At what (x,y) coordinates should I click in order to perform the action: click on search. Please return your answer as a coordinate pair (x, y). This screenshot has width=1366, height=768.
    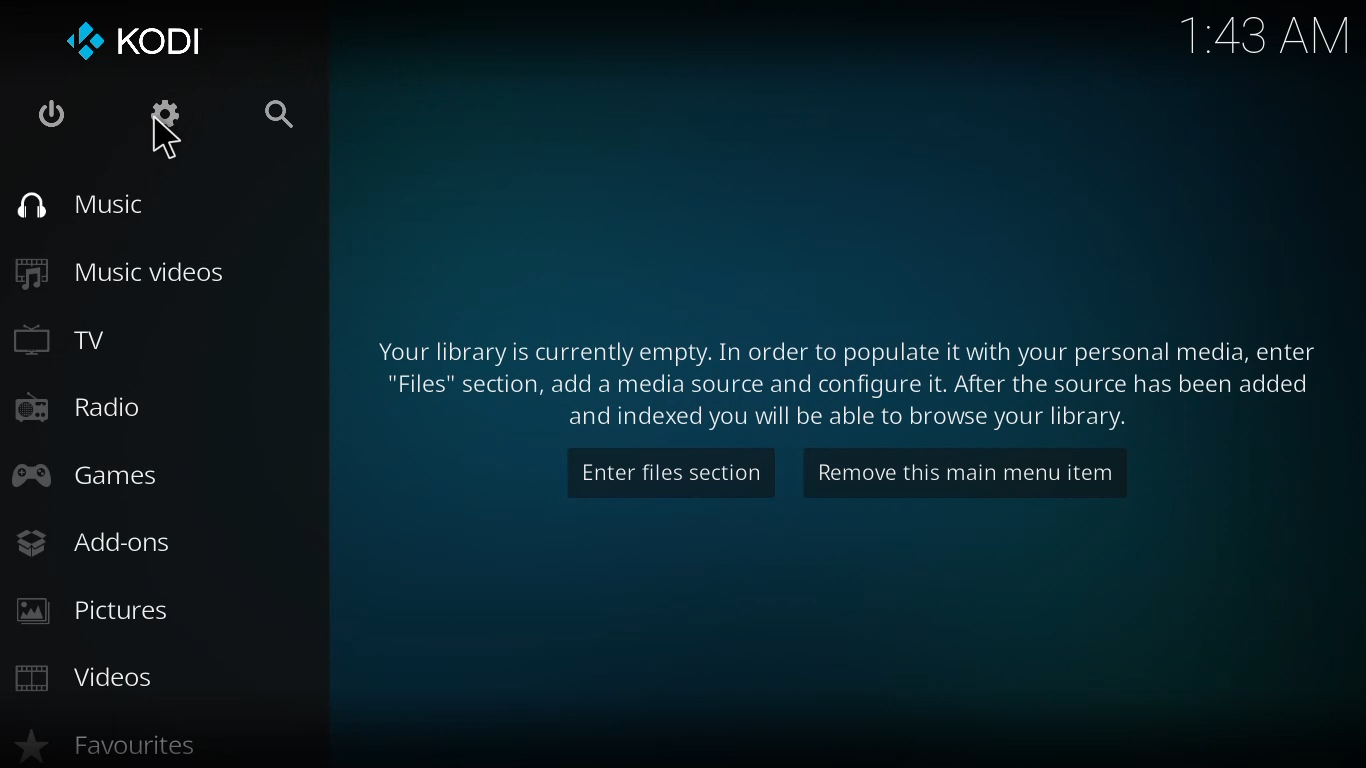
    Looking at the image, I should click on (268, 114).